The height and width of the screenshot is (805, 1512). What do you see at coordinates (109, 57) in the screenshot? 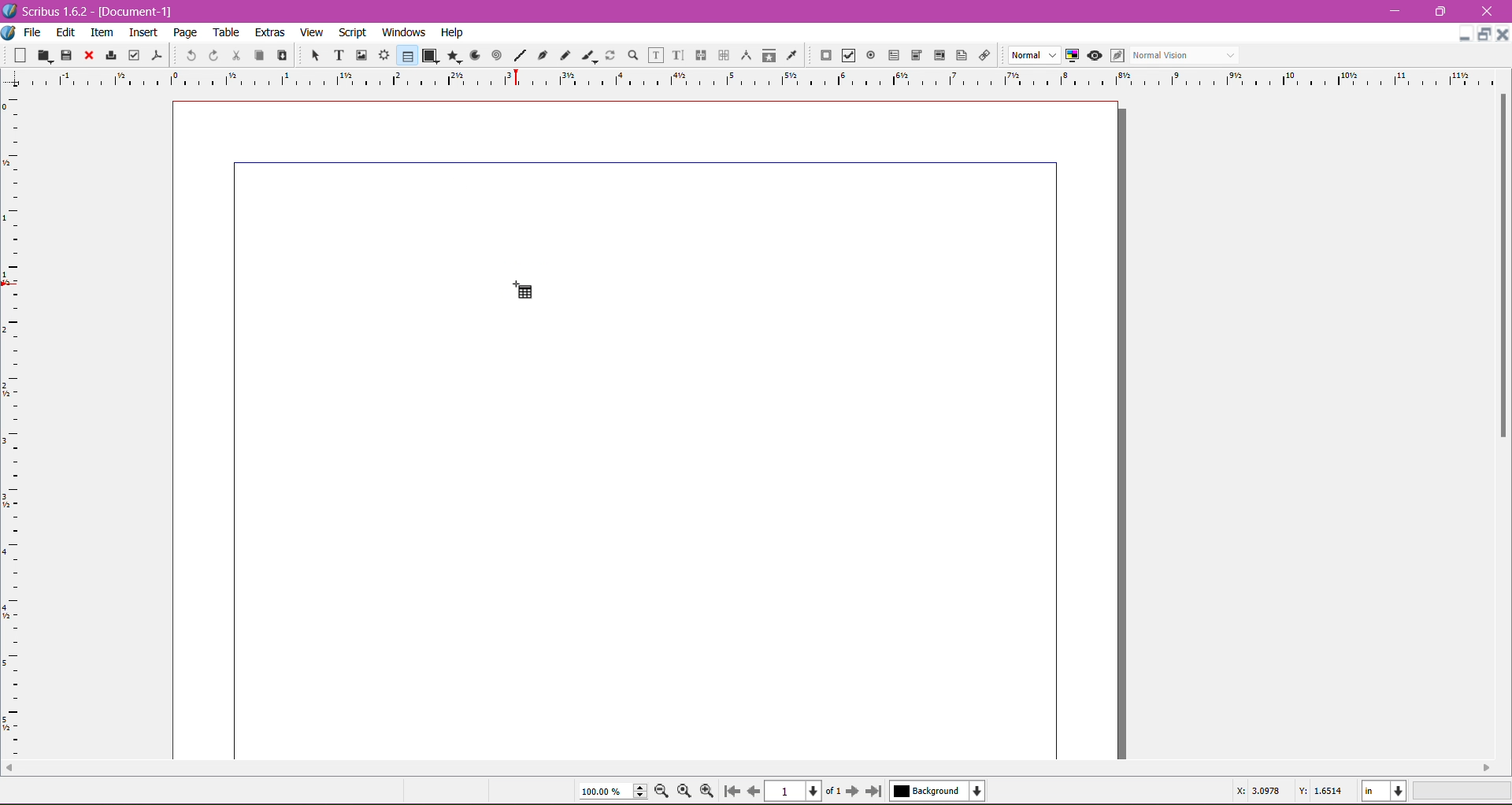
I see `Print` at bounding box center [109, 57].